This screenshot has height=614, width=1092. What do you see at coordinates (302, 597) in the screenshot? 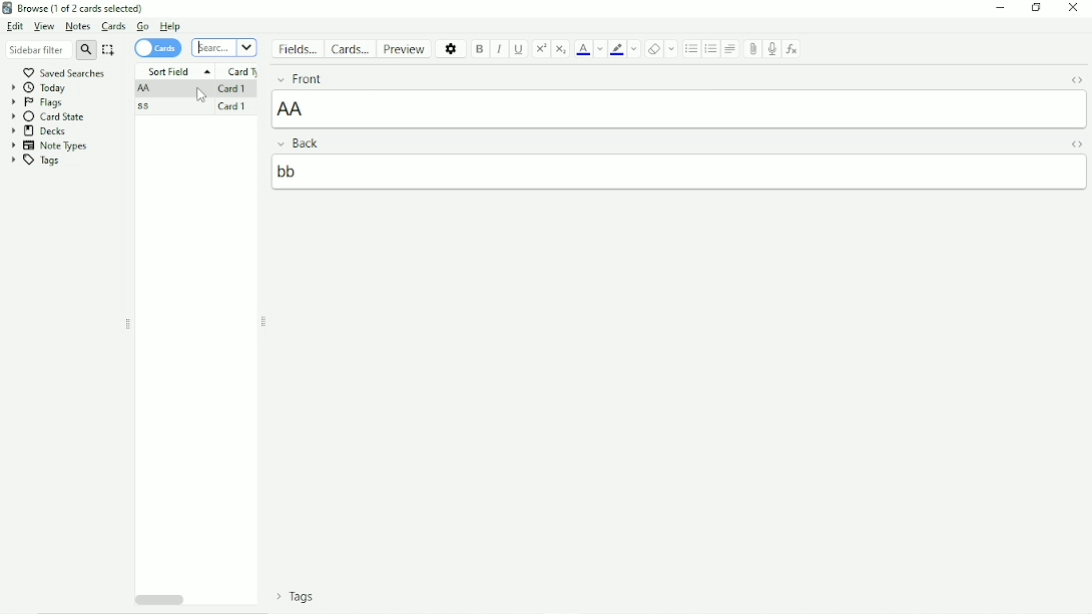
I see `Tags` at bounding box center [302, 597].